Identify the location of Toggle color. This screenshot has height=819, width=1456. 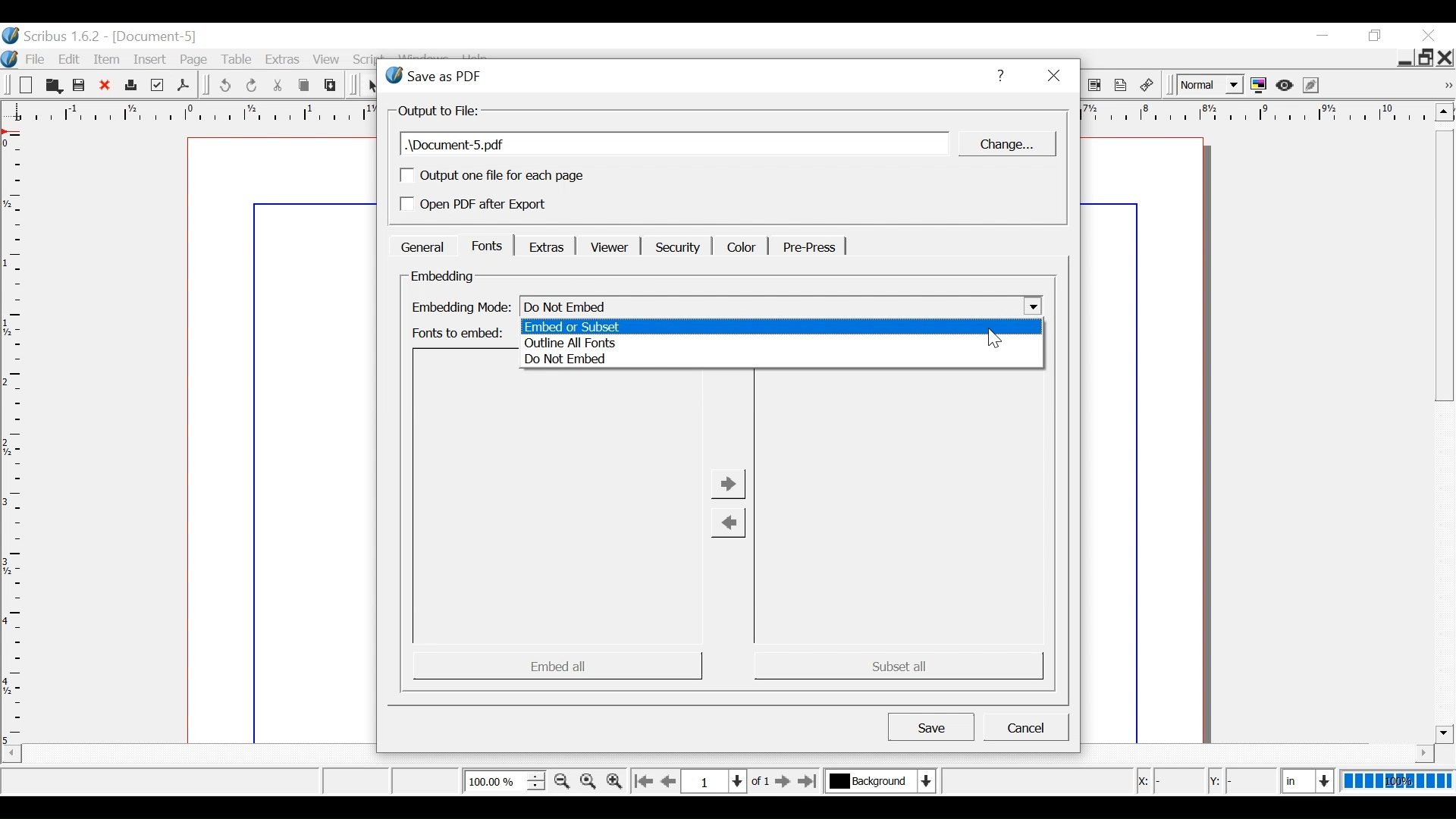
(1259, 86).